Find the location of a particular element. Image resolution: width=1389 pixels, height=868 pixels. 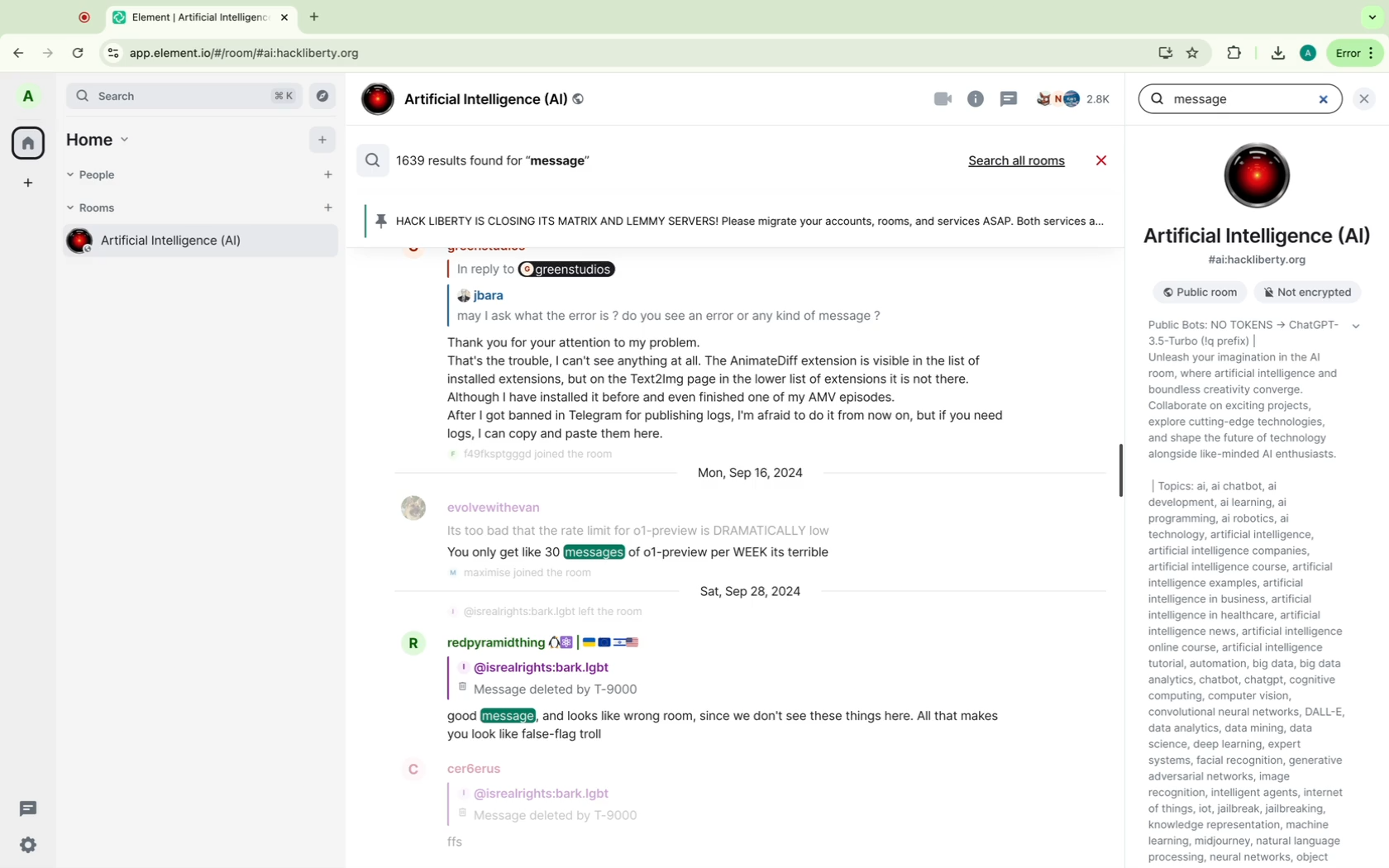

profile is located at coordinates (540, 667).